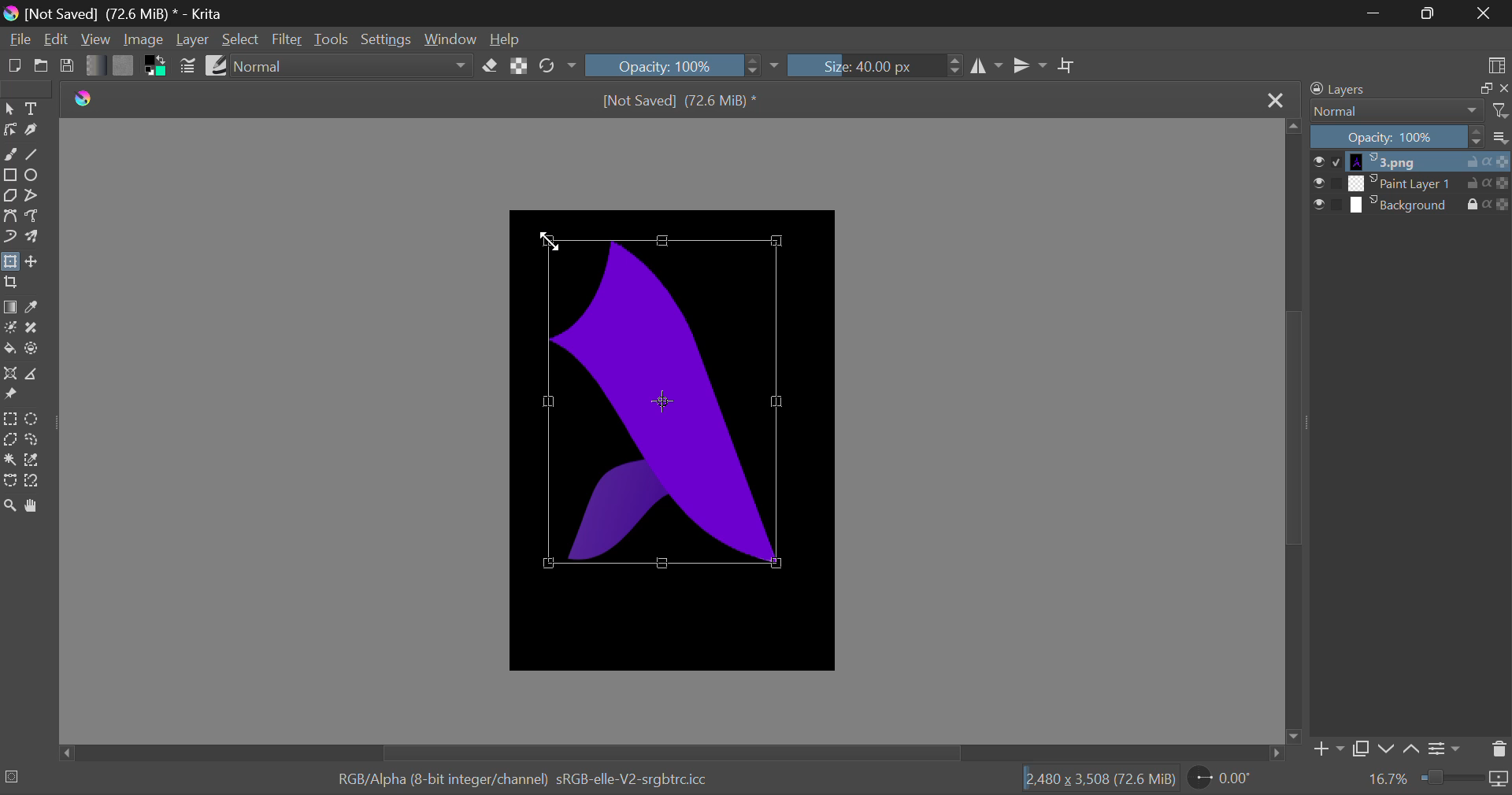 This screenshot has height=795, width=1512. What do you see at coordinates (671, 752) in the screenshot?
I see `Scroll Bar` at bounding box center [671, 752].